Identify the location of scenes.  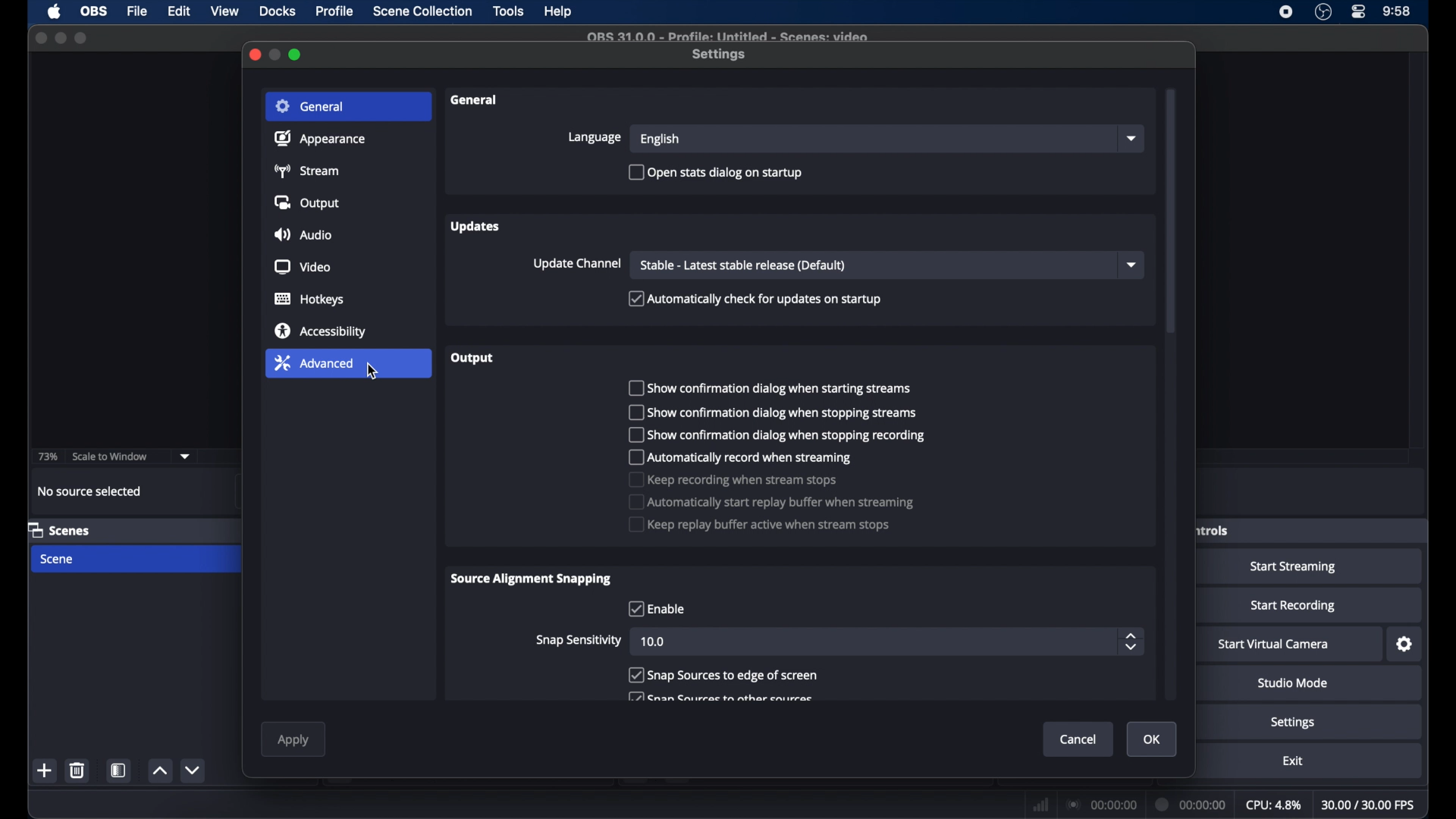
(59, 529).